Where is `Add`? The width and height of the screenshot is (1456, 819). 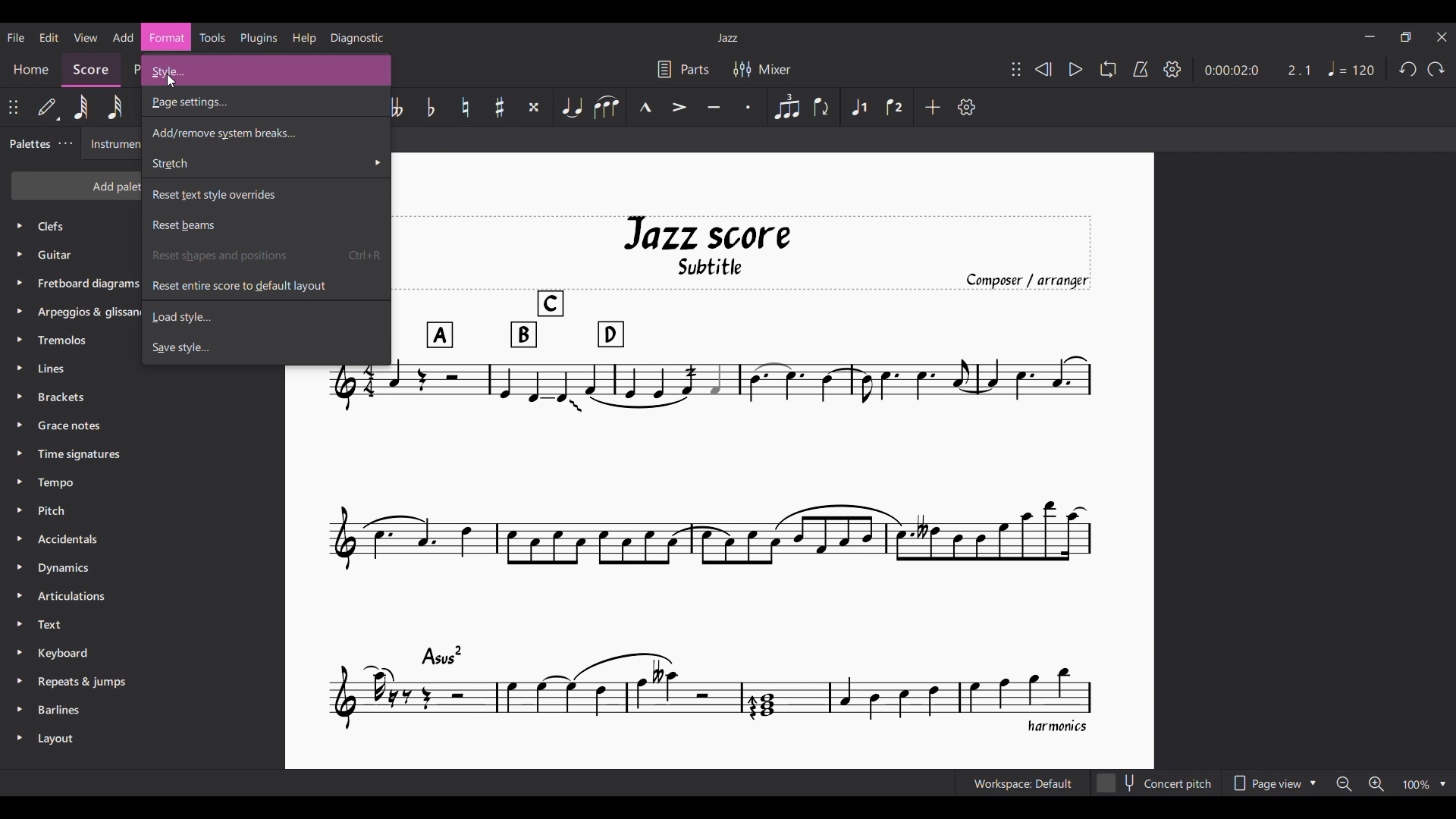
Add is located at coordinates (932, 107).